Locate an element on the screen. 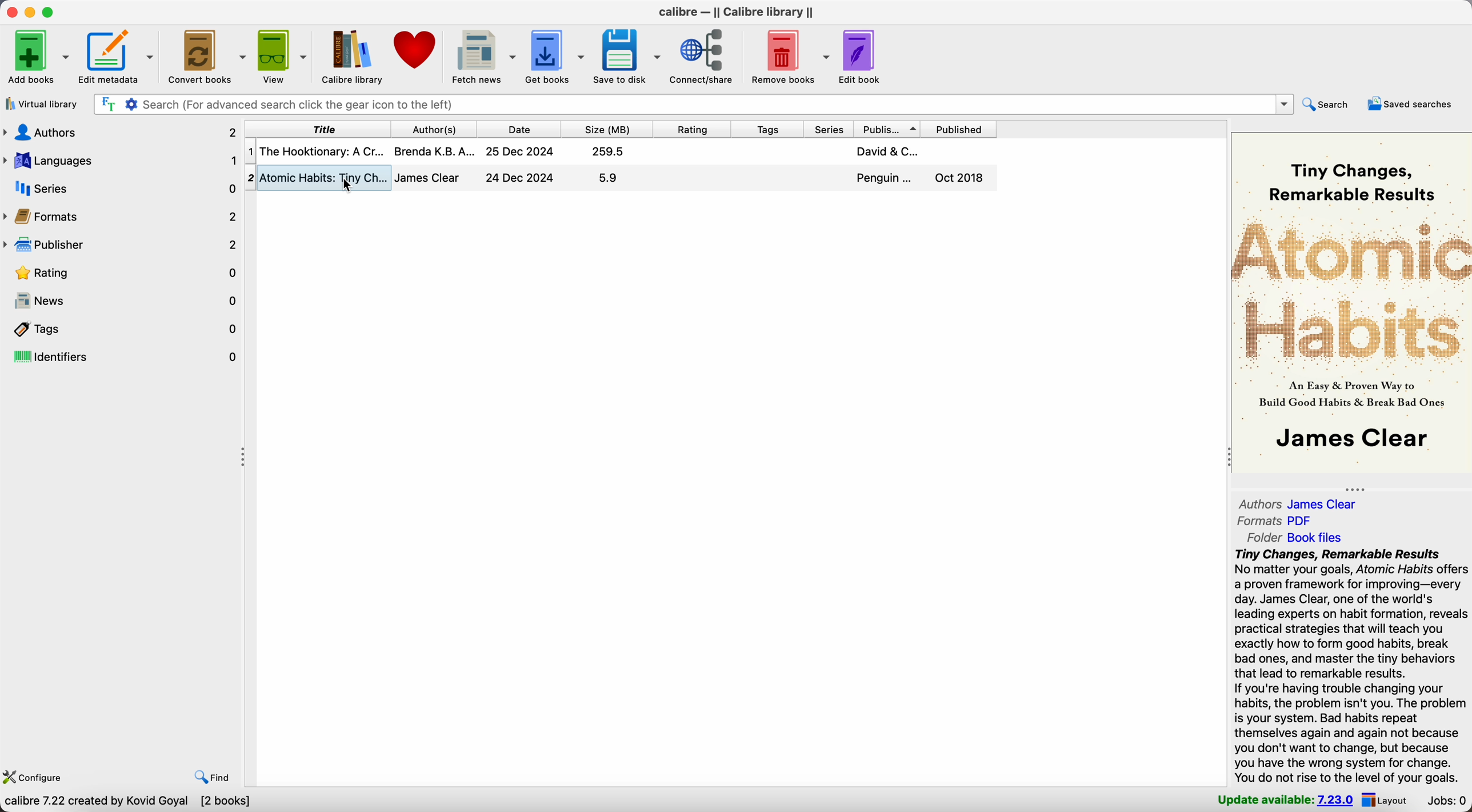 Image resolution: width=1472 pixels, height=812 pixels. author(s) is located at coordinates (431, 128).